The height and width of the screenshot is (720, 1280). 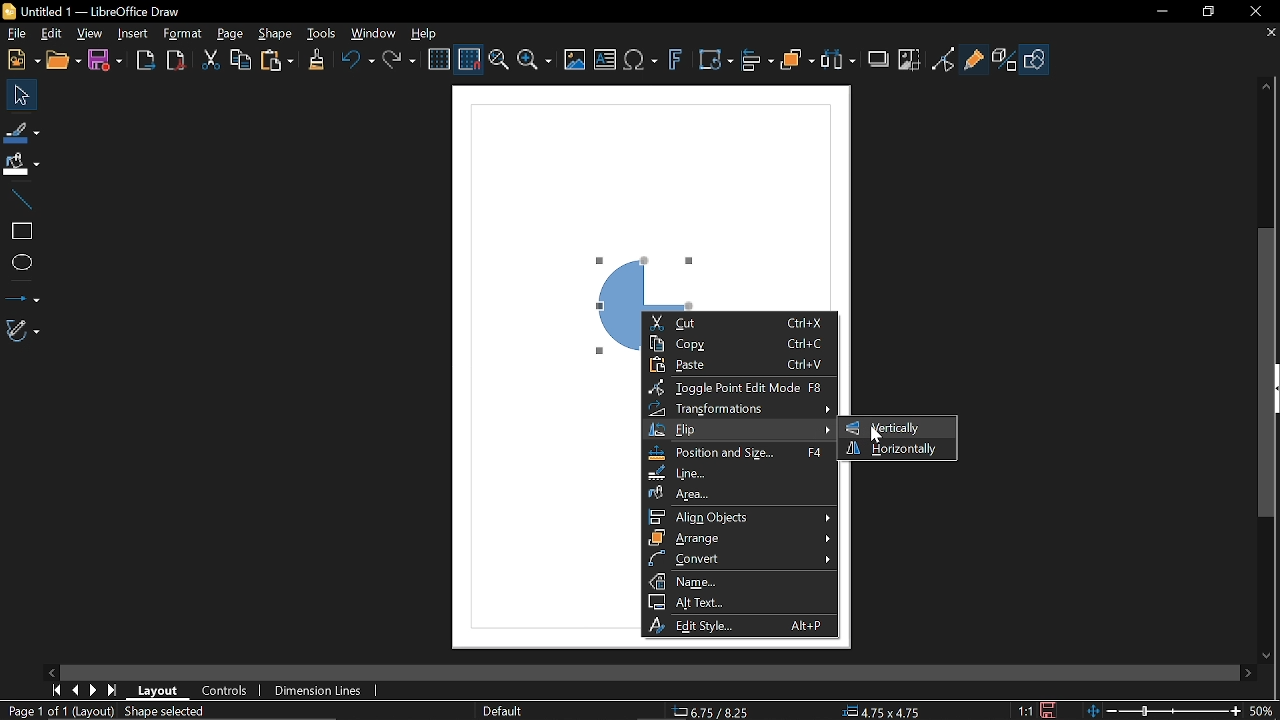 What do you see at coordinates (1161, 10) in the screenshot?
I see `Minimize` at bounding box center [1161, 10].